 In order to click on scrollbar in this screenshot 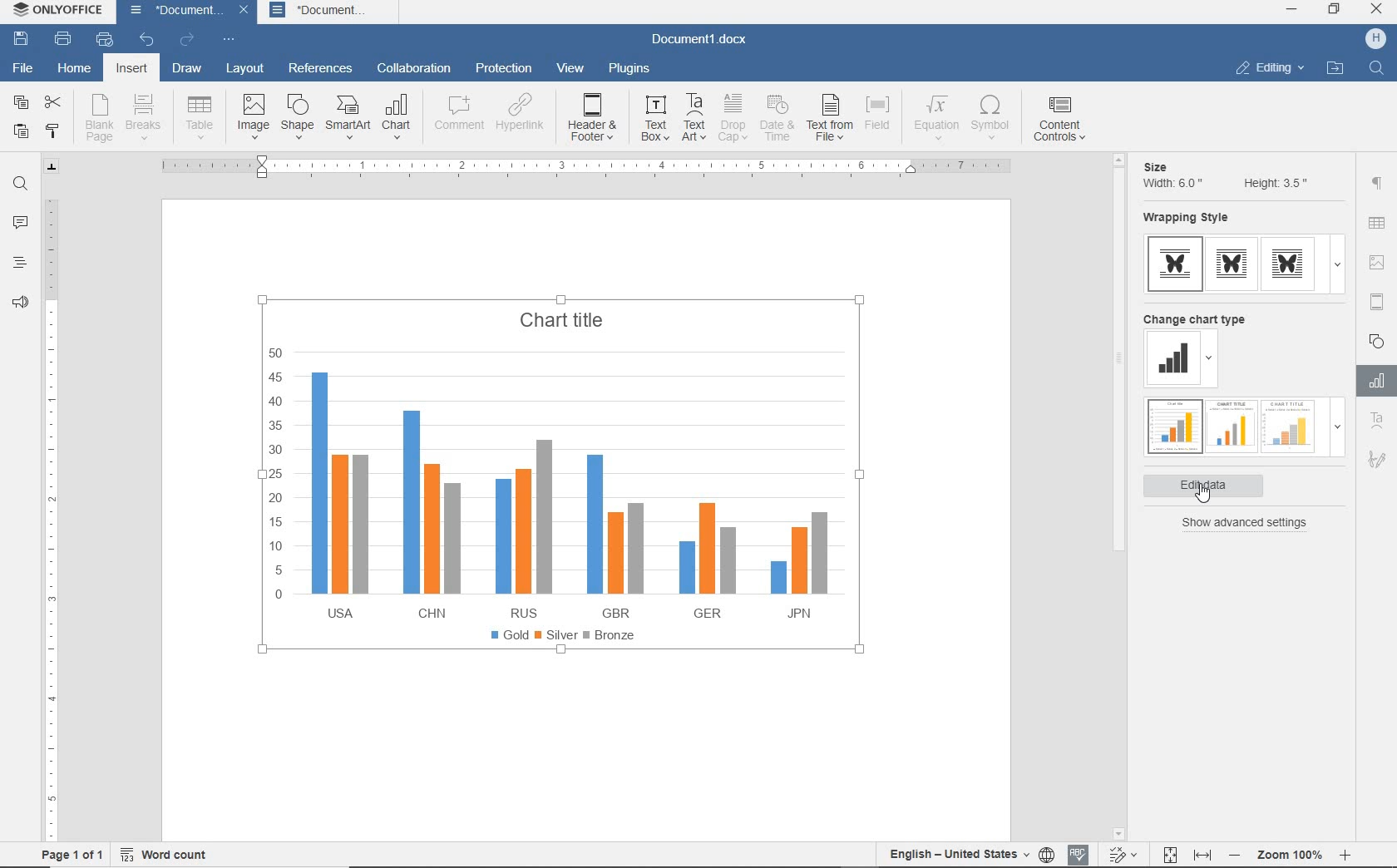, I will do `click(1118, 495)`.